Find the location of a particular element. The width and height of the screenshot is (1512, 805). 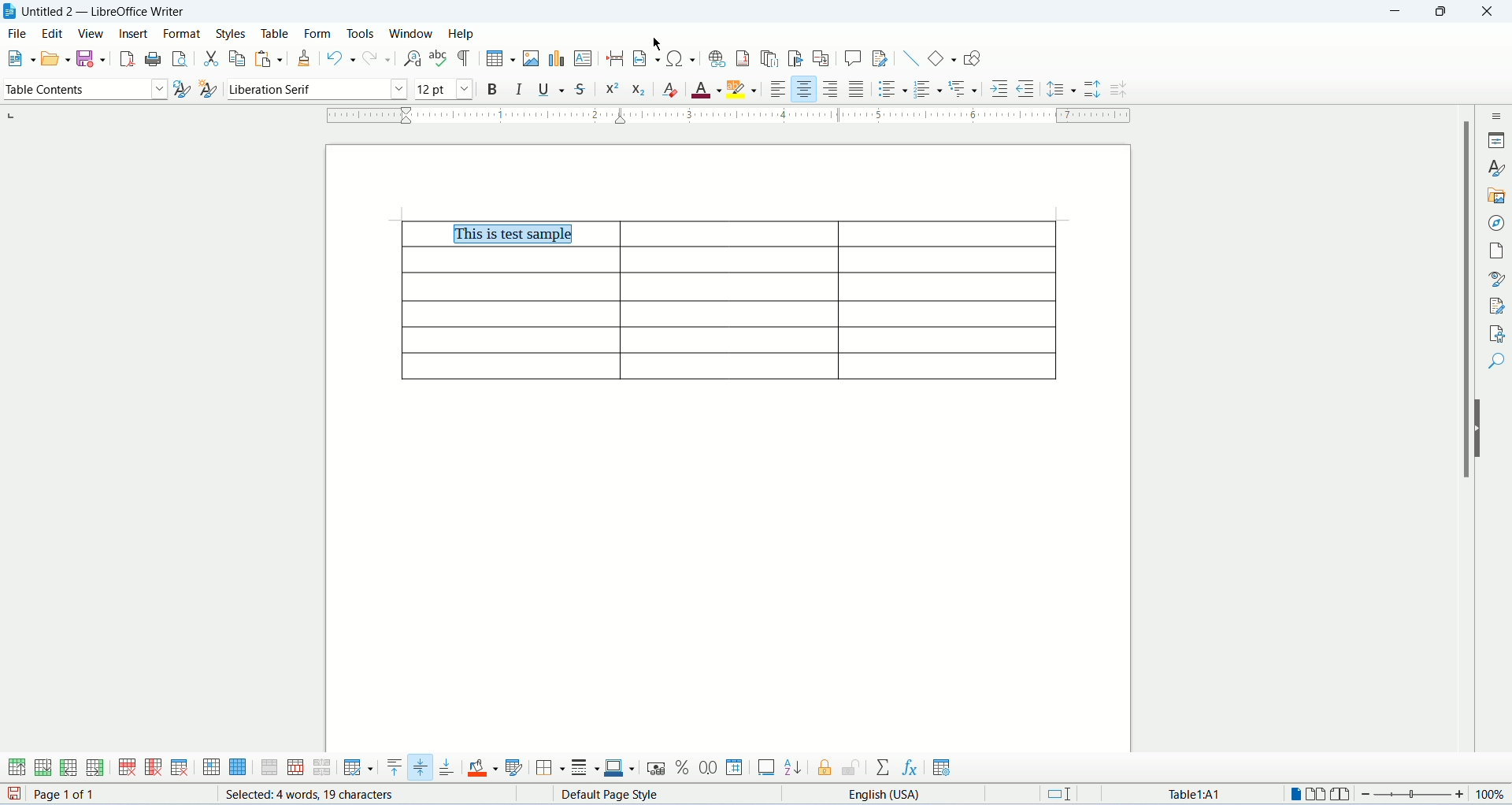

insert special characters is located at coordinates (680, 58).